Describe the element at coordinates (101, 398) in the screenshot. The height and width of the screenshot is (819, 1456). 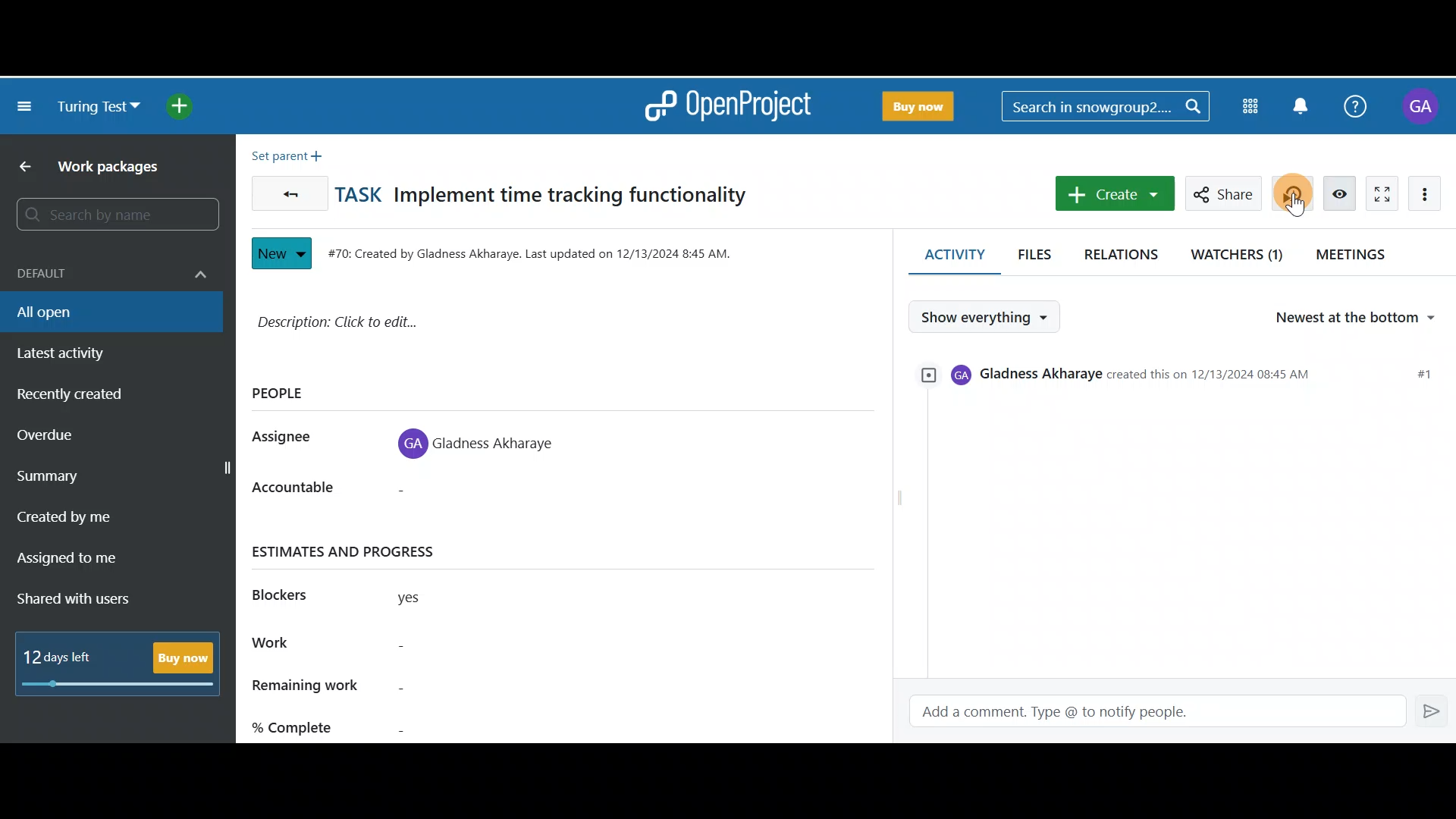
I see `Recently created` at that location.